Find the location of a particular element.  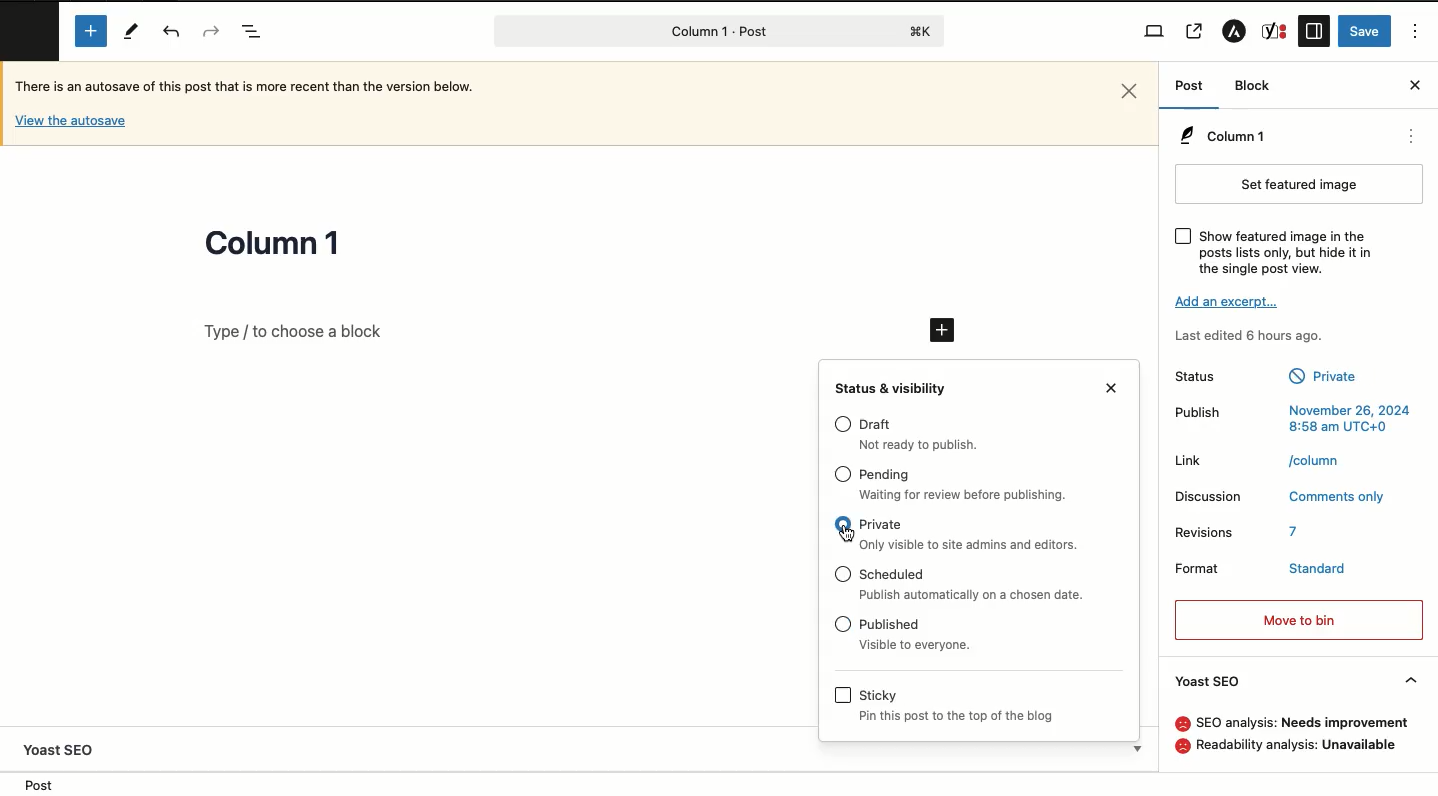

November 26, 2024 8:58 am UTC+0 is located at coordinates (1348, 418).